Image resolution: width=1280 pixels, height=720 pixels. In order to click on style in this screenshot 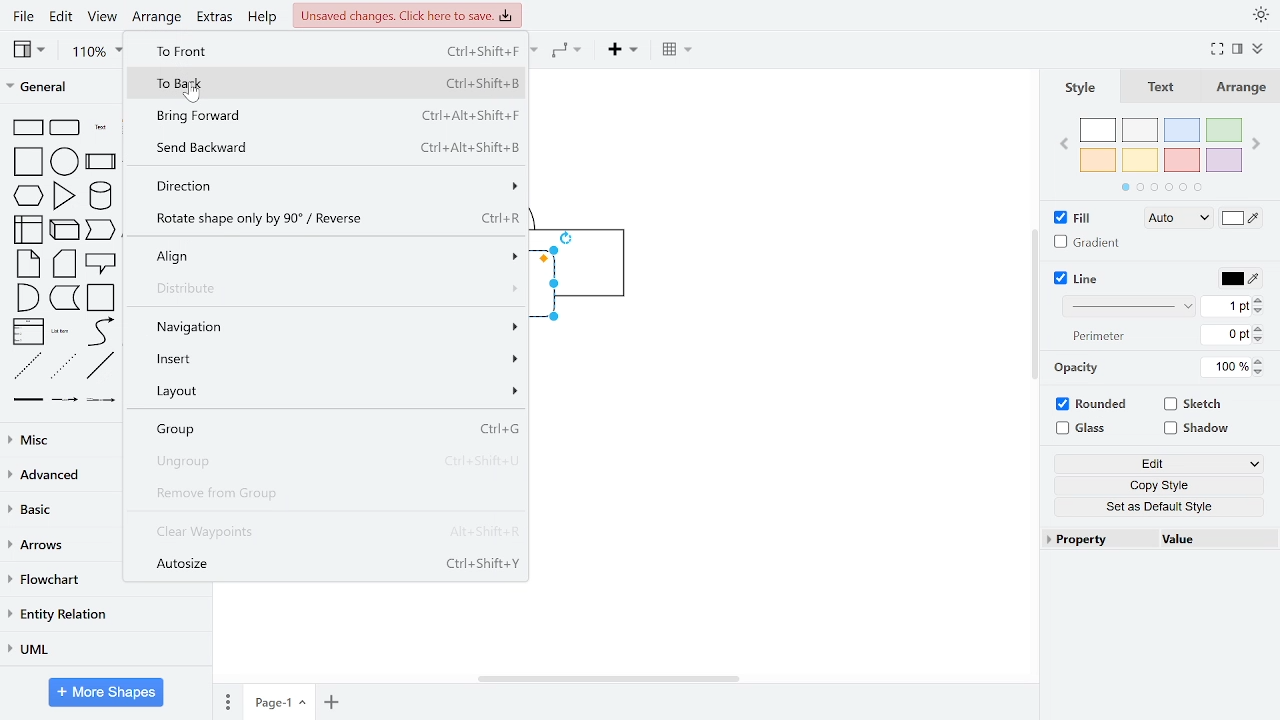, I will do `click(1083, 89)`.